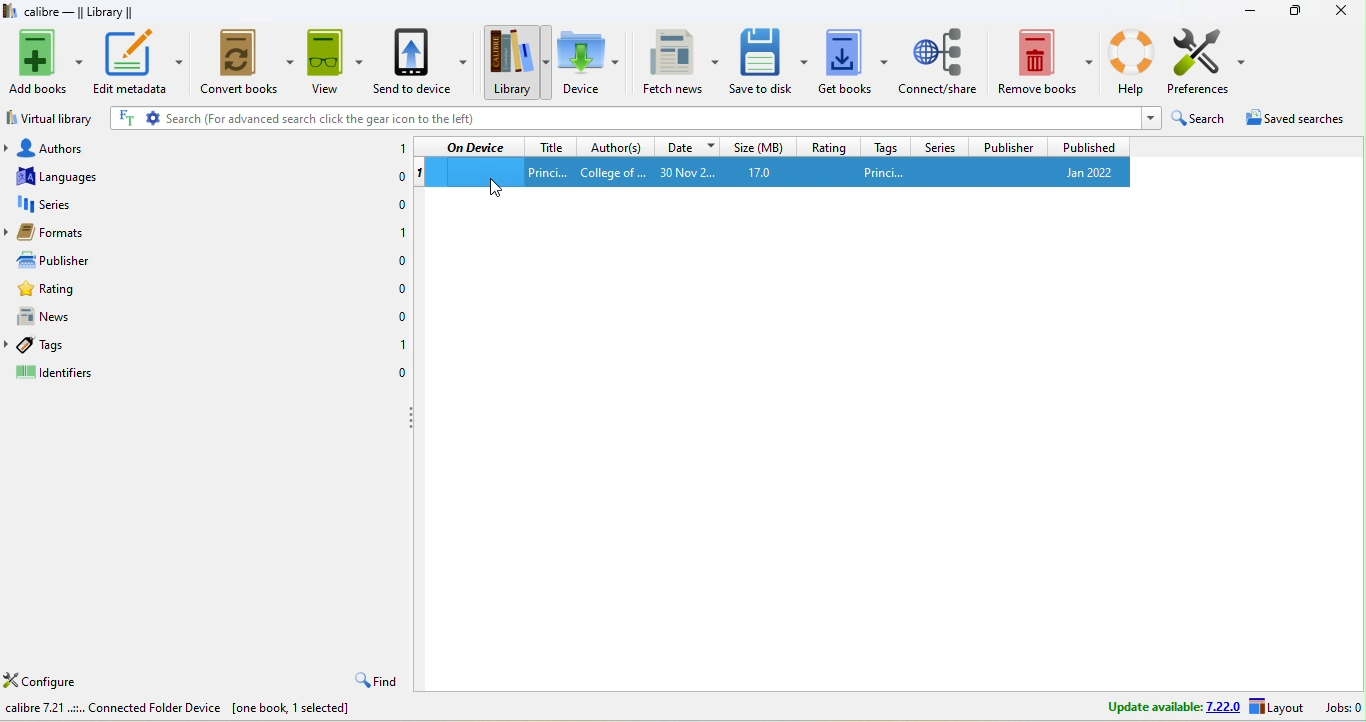  I want to click on get books, so click(853, 60).